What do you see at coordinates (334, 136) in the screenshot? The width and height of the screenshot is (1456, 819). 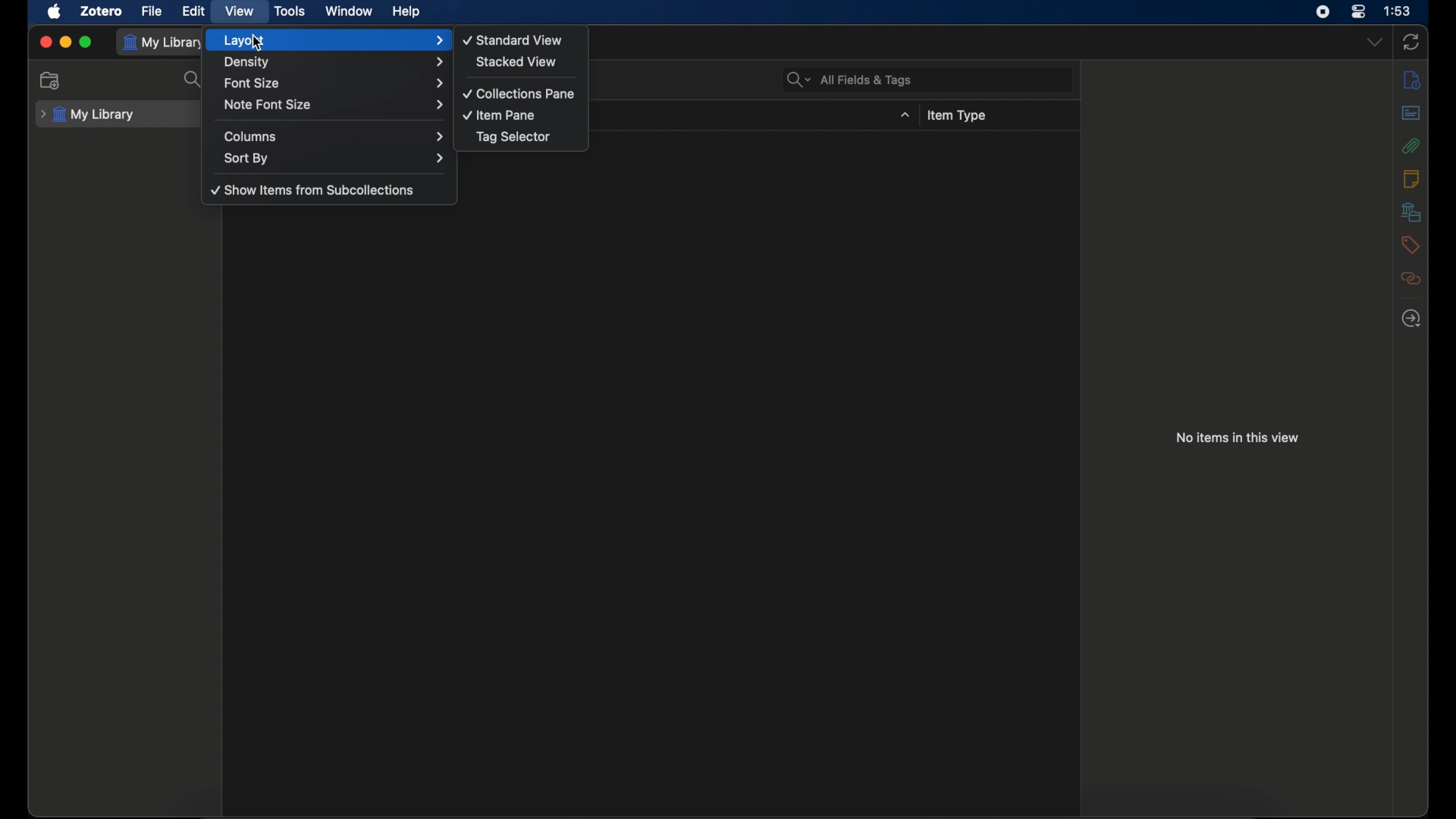 I see `columns` at bounding box center [334, 136].